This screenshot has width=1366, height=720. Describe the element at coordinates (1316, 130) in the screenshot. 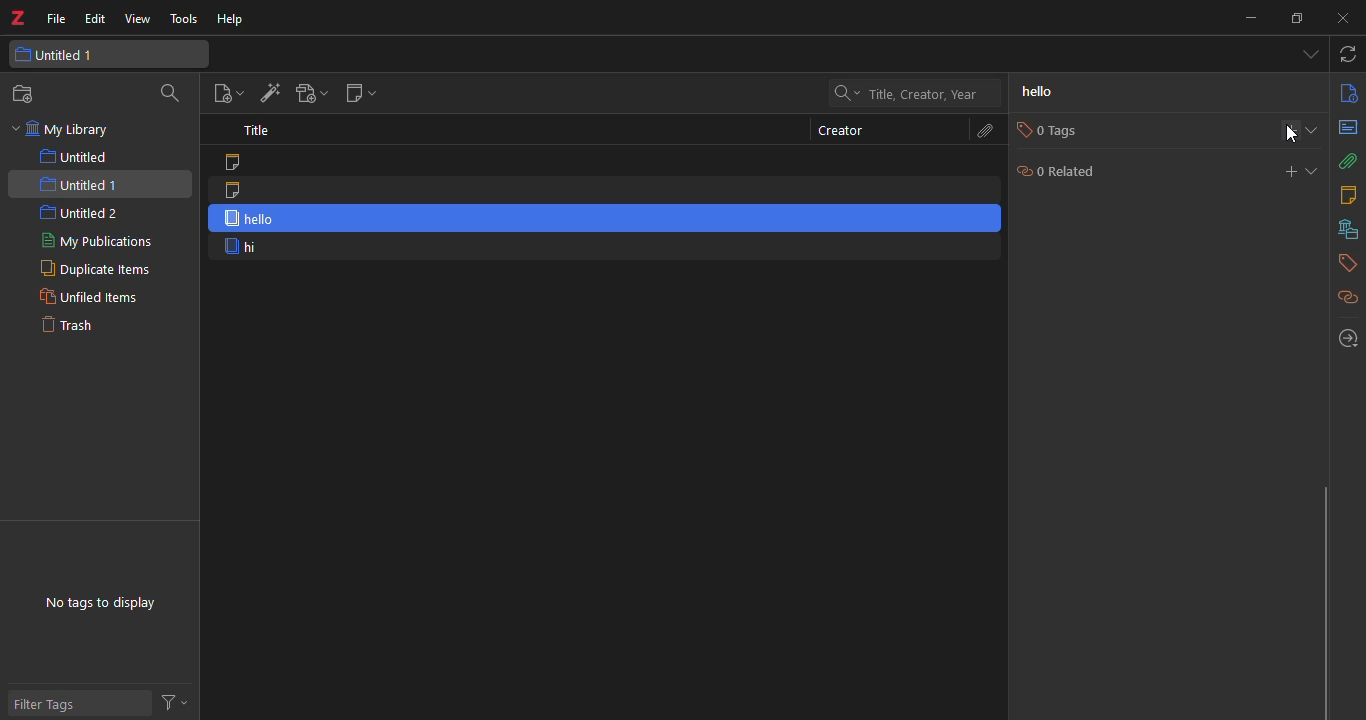

I see `expand` at that location.